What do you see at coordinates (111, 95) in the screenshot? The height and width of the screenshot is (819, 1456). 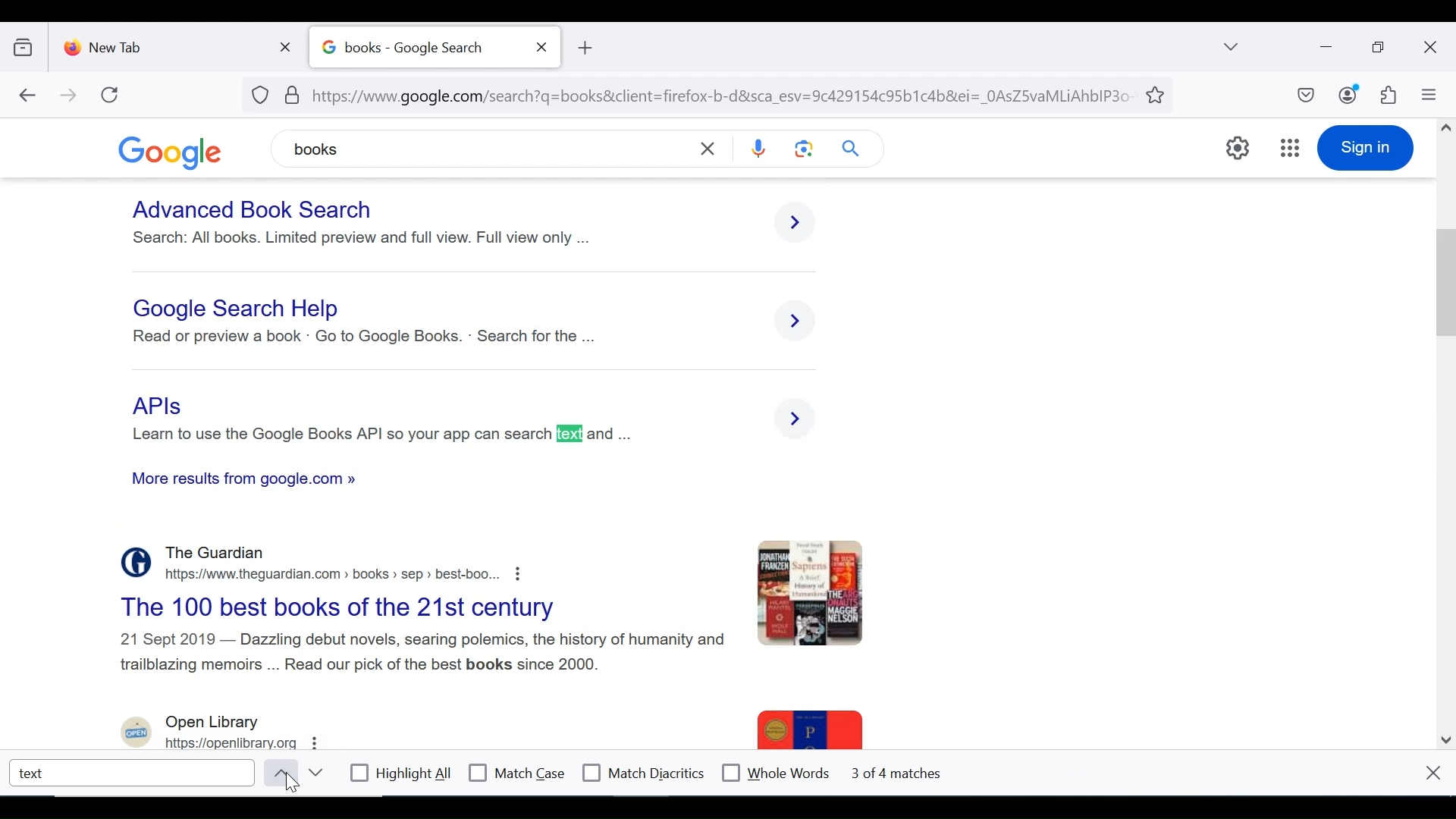 I see `refresh` at bounding box center [111, 95].